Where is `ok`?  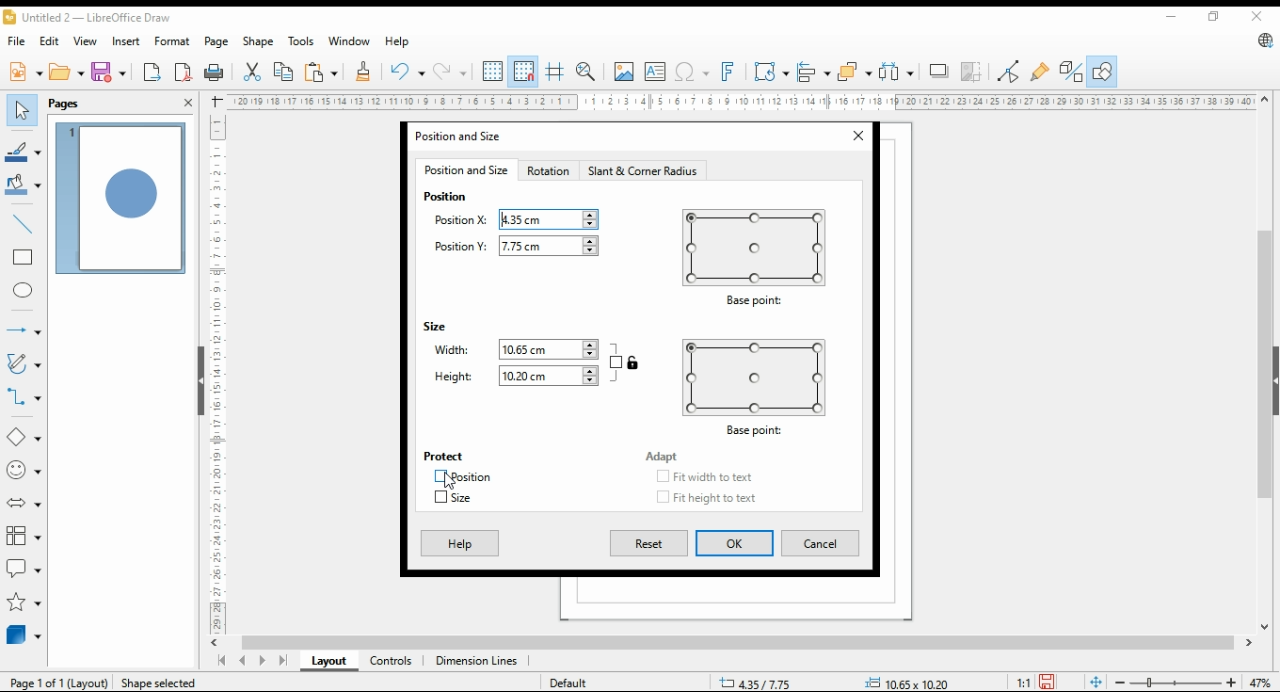
ok is located at coordinates (732, 543).